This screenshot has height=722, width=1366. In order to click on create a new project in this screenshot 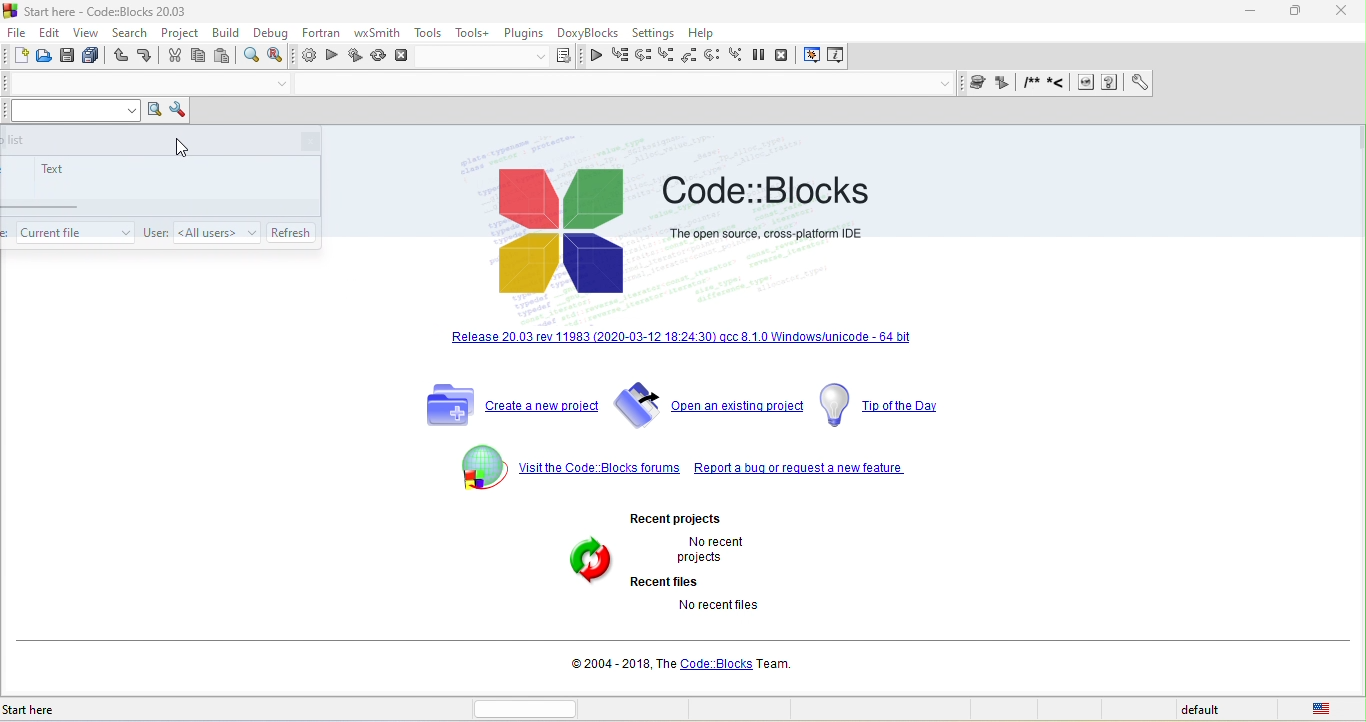, I will do `click(506, 405)`.